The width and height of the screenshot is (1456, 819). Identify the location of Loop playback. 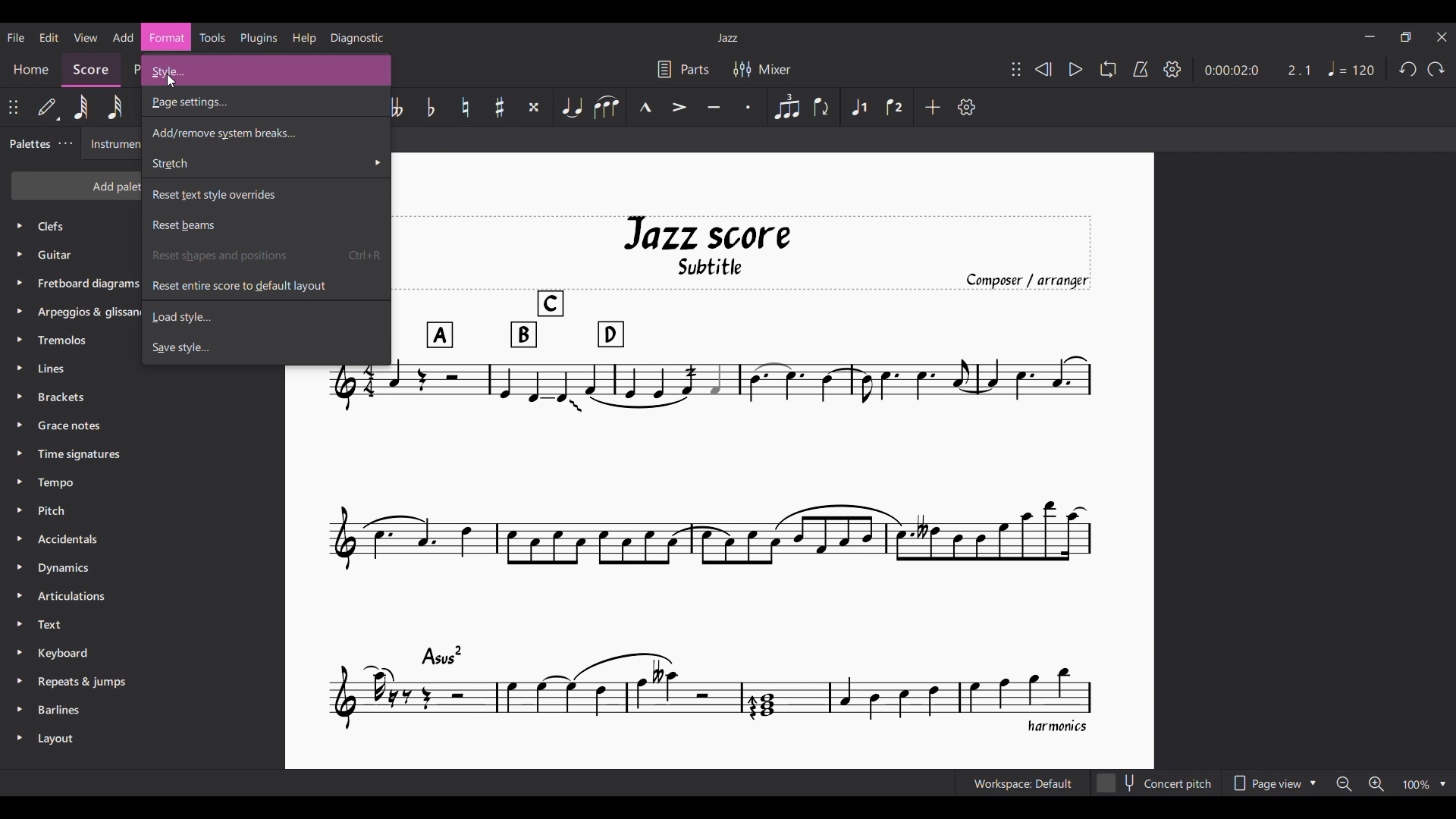
(1107, 68).